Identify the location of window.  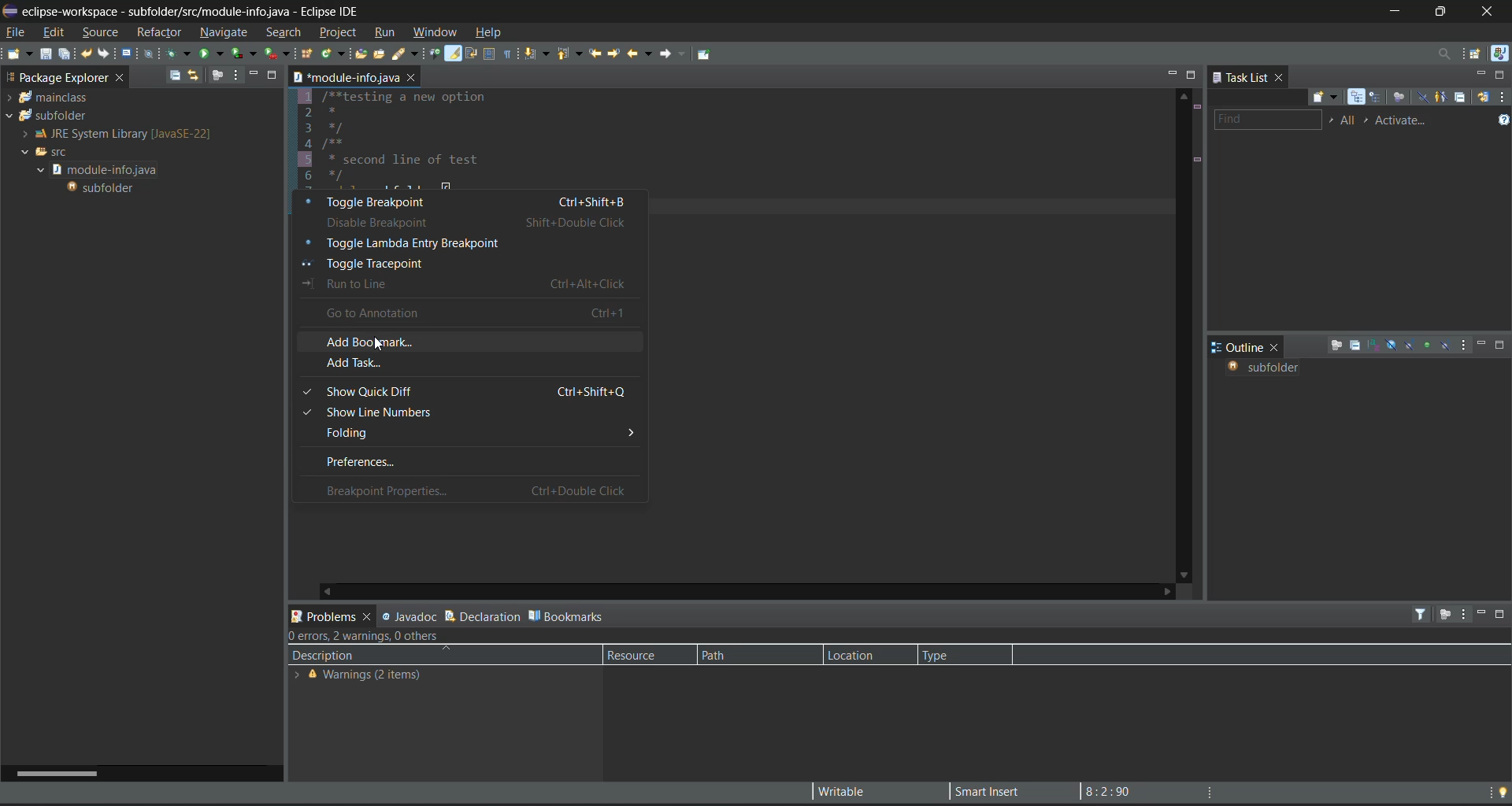
(433, 29).